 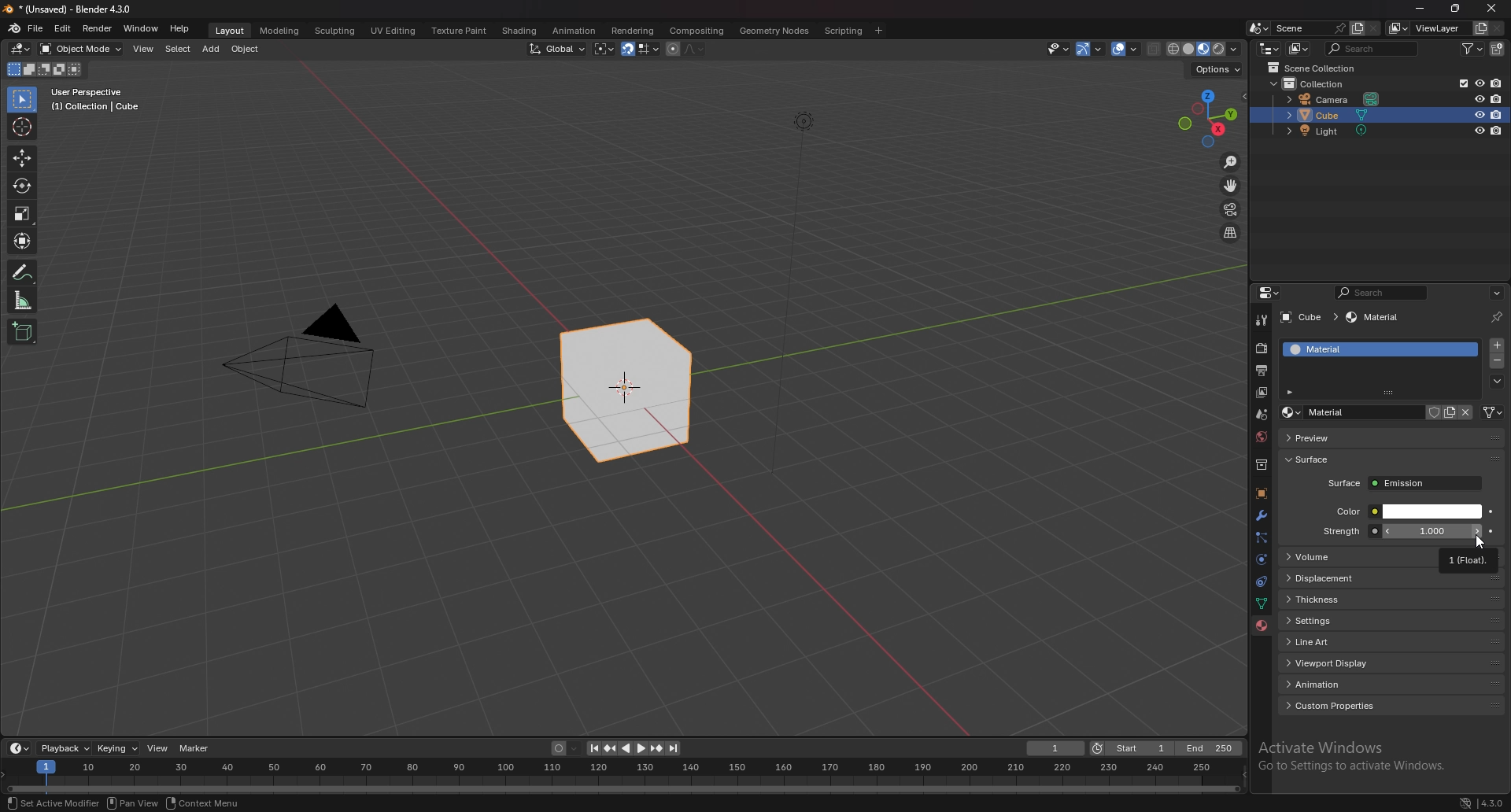 I want to click on collection, so click(x=1324, y=83).